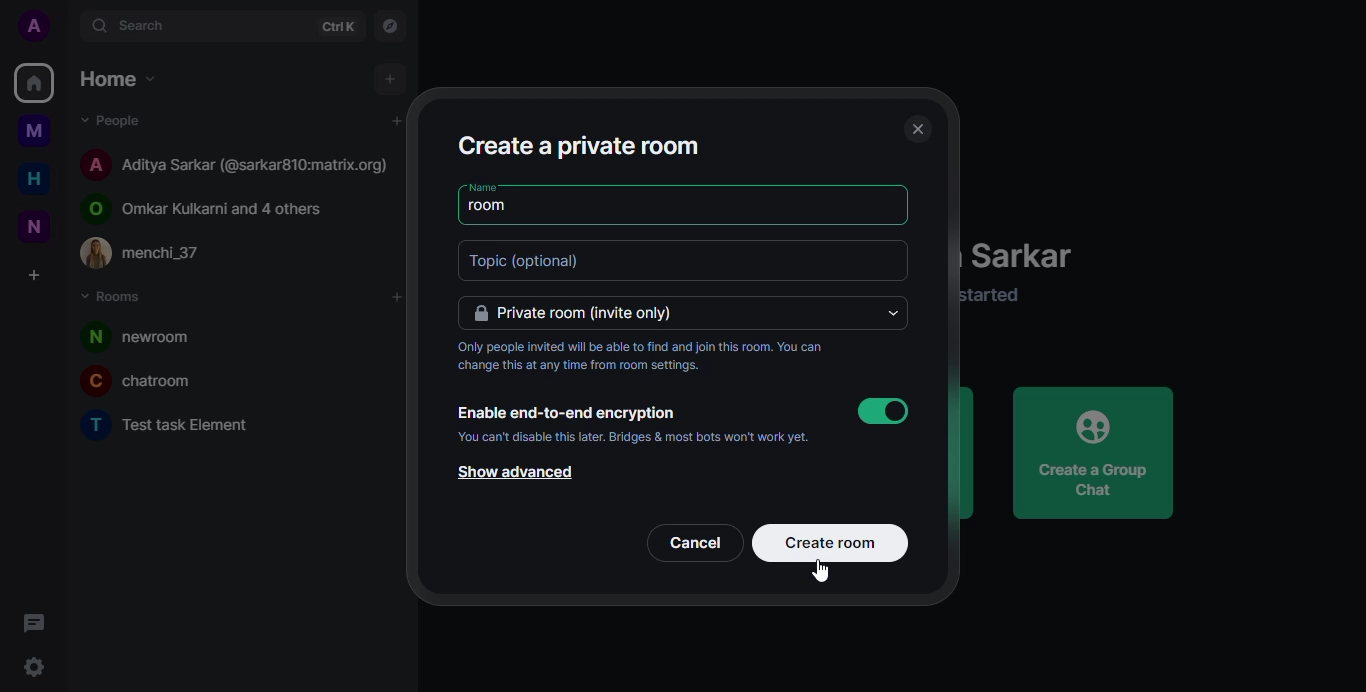 This screenshot has height=692, width=1366. I want to click on Public room, so click(215, 205).